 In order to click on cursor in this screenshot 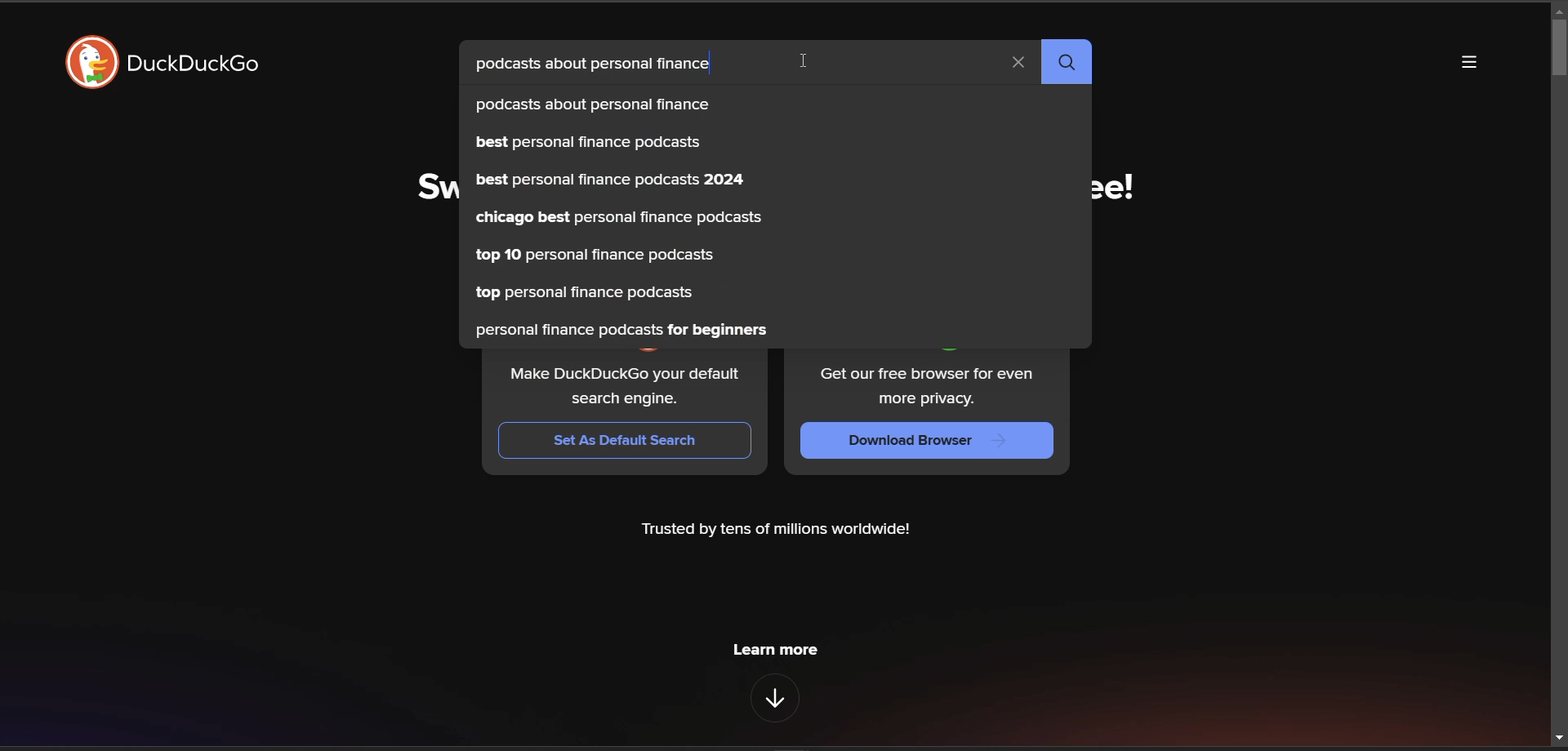, I will do `click(803, 60)`.